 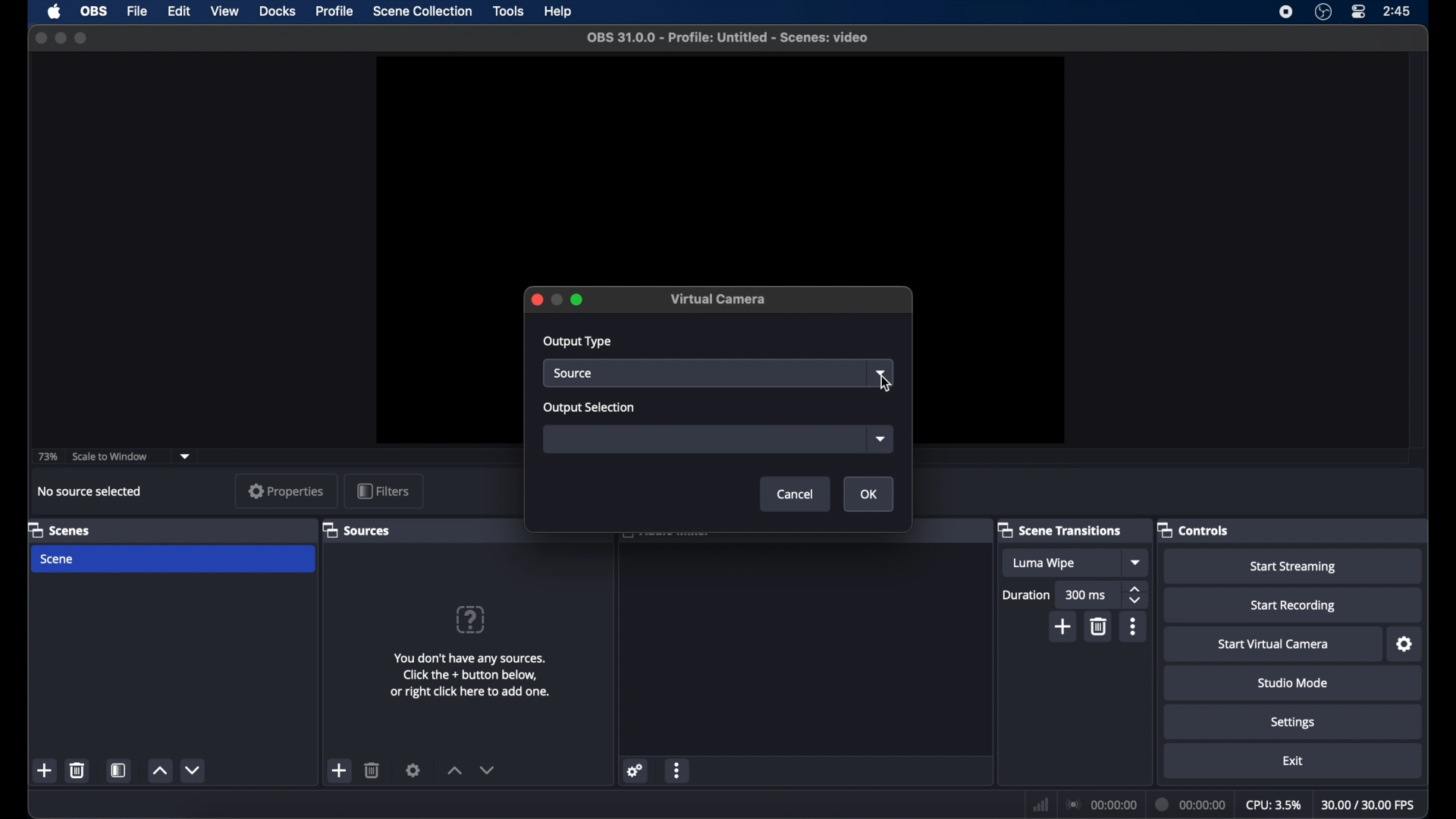 I want to click on filters, so click(x=382, y=491).